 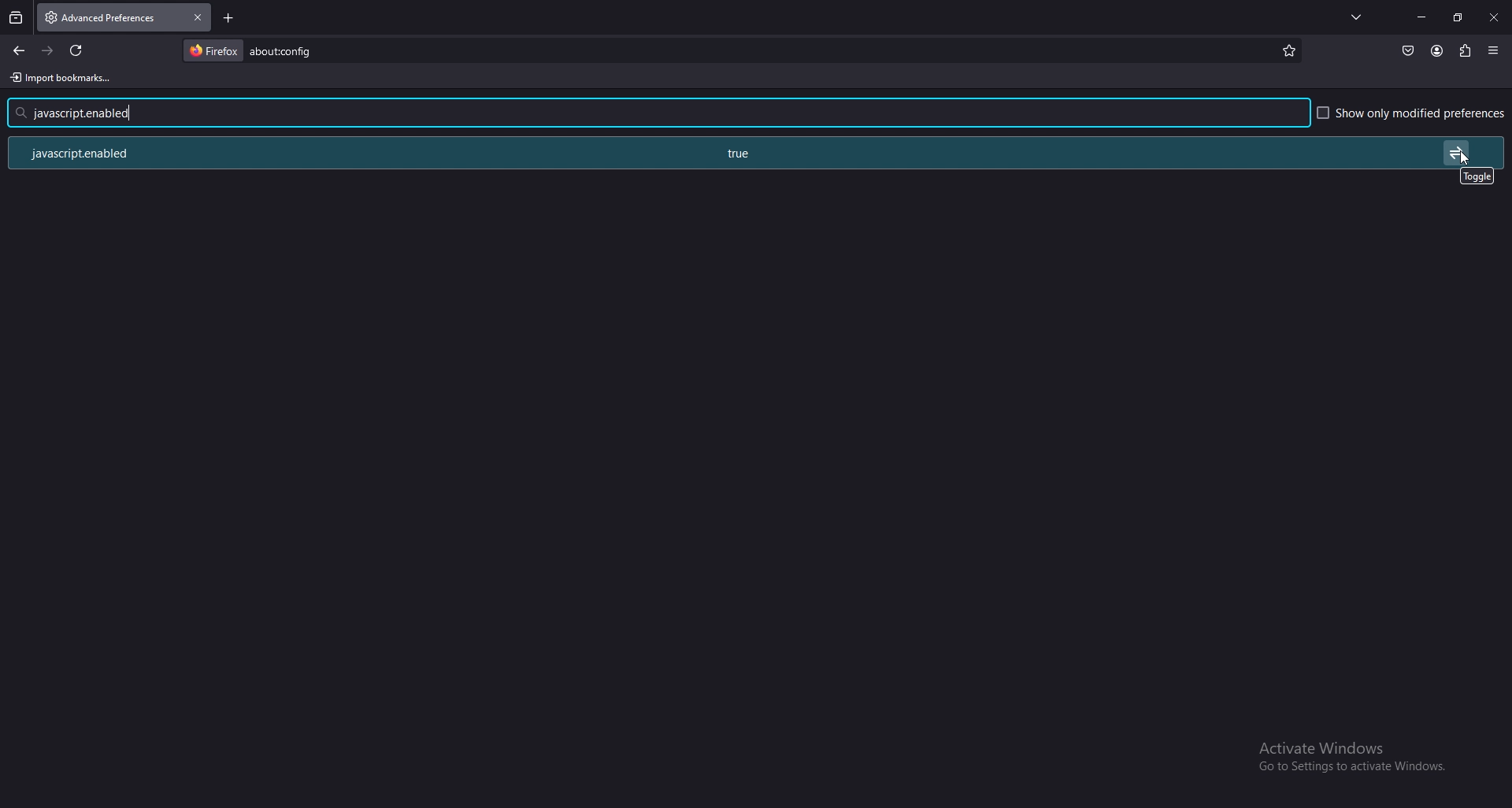 I want to click on resize, so click(x=1458, y=17).